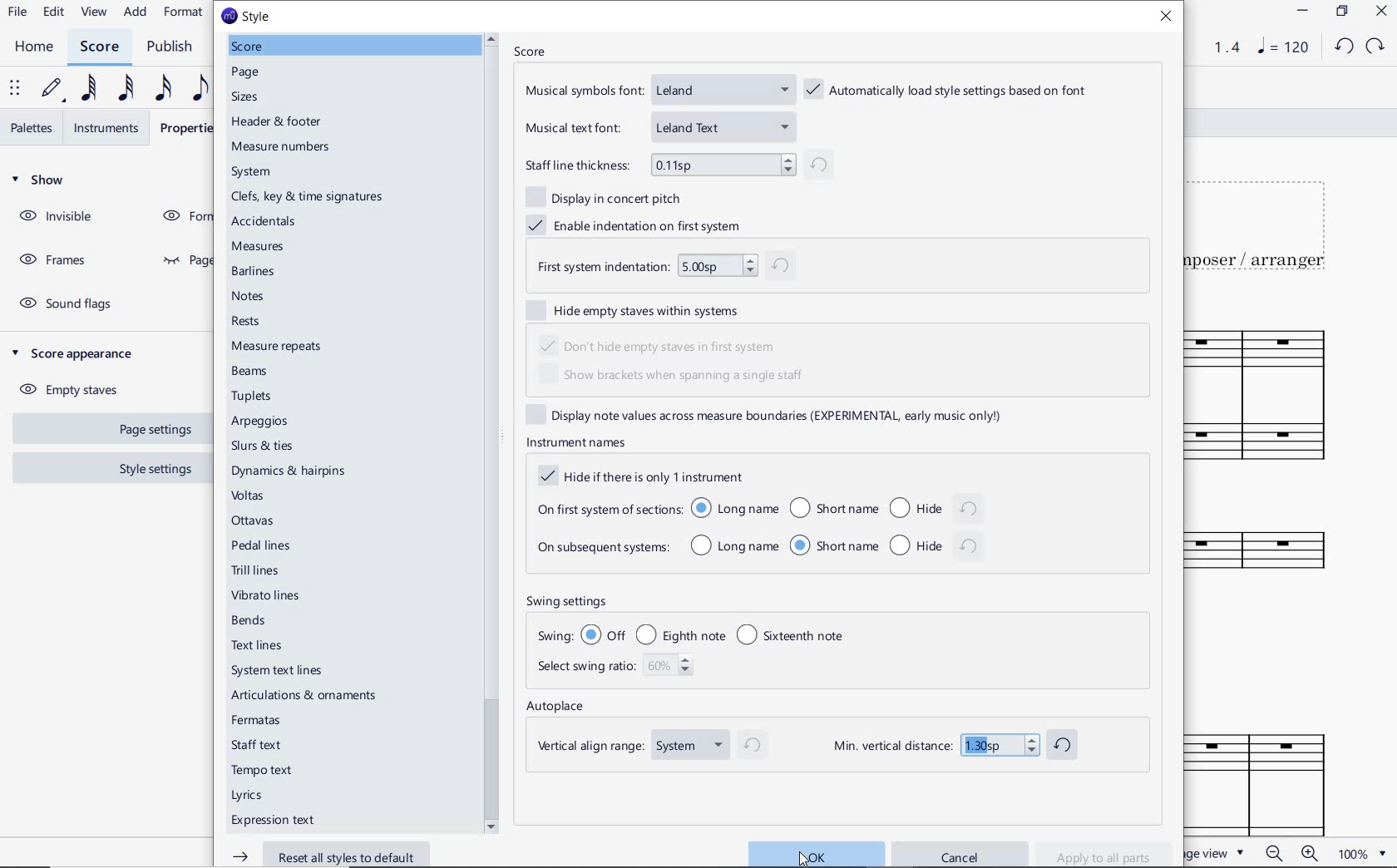 Image resolution: width=1397 pixels, height=868 pixels. Describe the element at coordinates (250, 622) in the screenshot. I see `bends` at that location.